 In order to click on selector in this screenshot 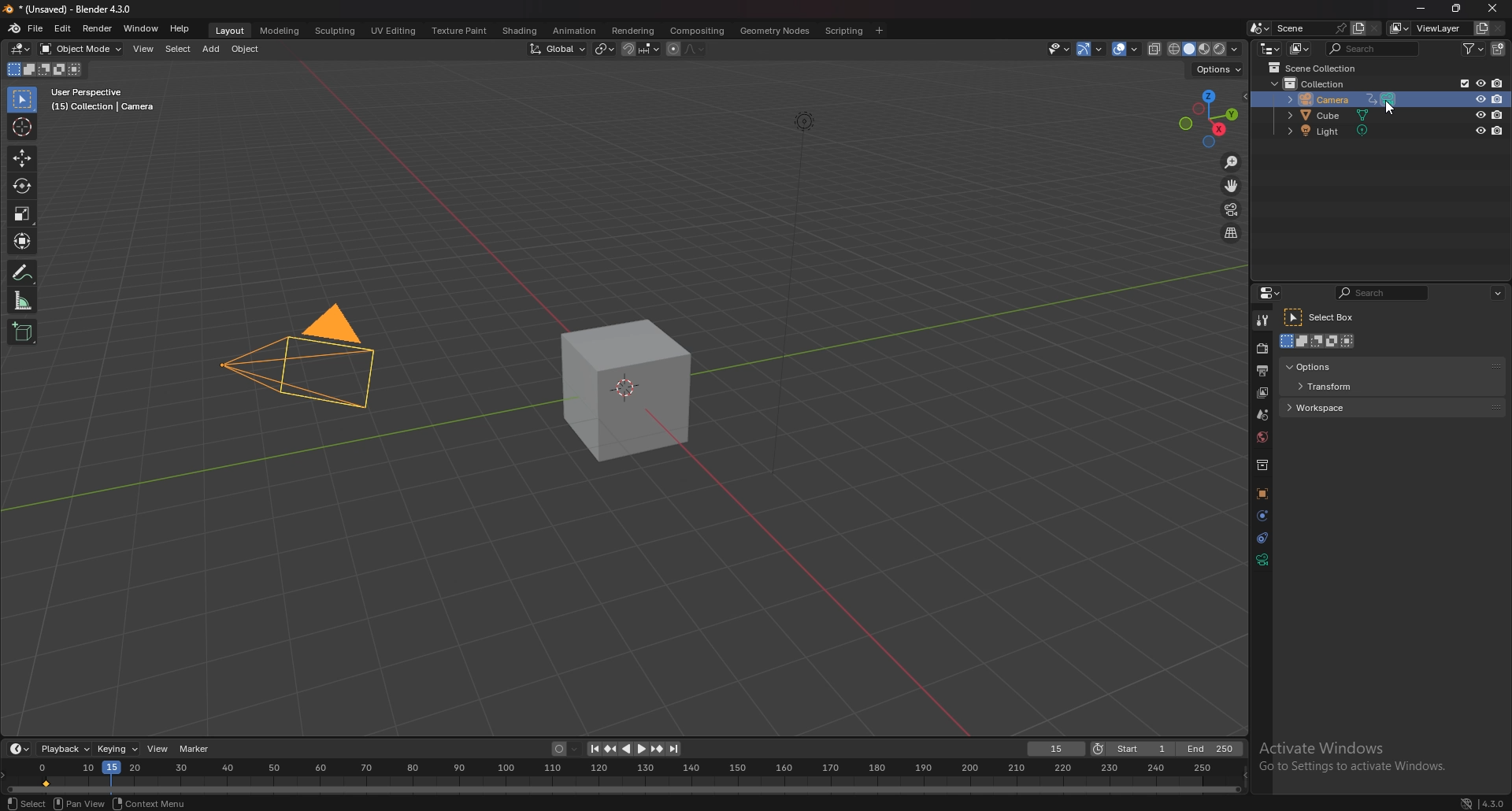, I will do `click(22, 100)`.